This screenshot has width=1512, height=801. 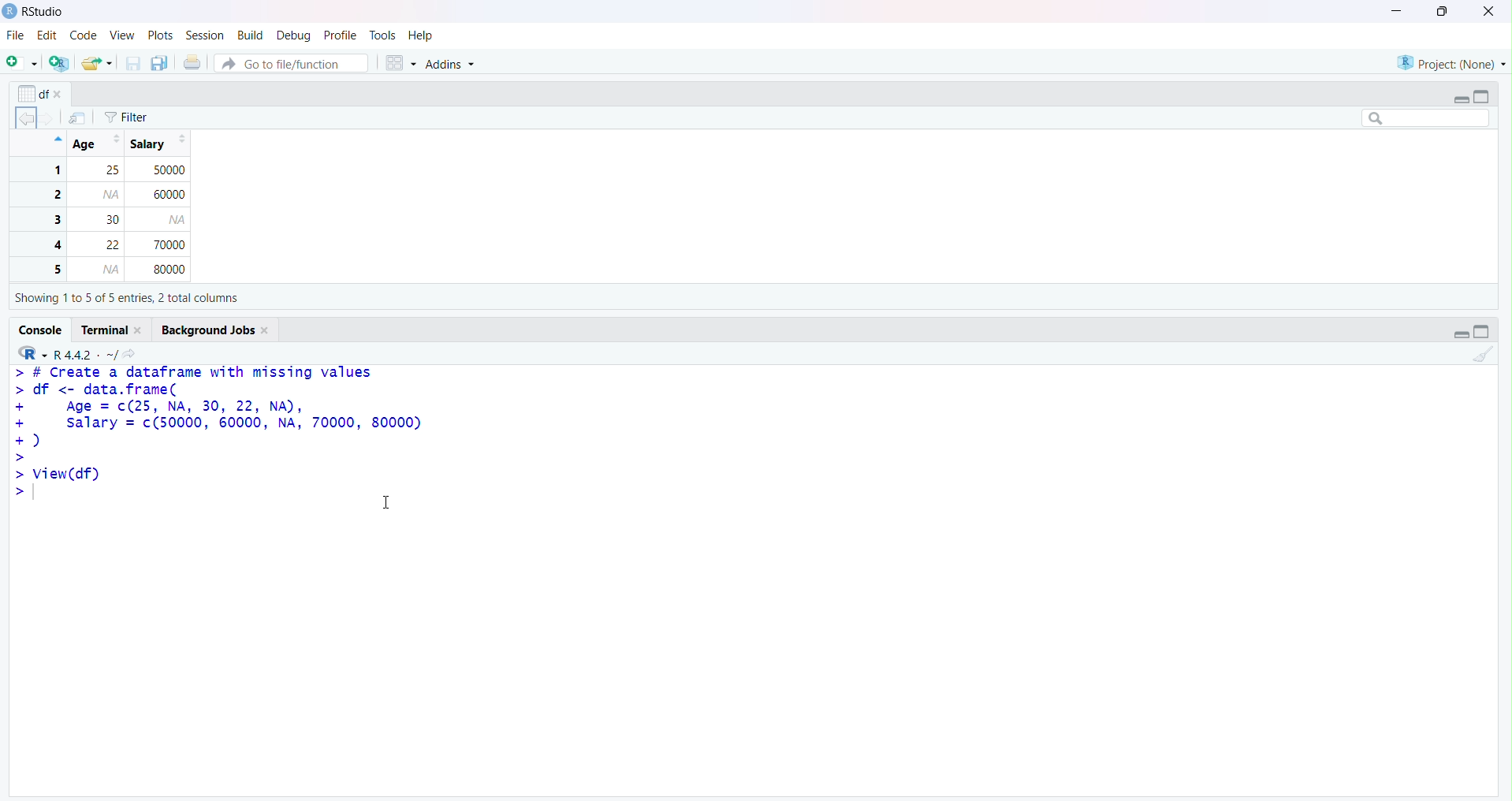 I want to click on Edit, so click(x=48, y=35).